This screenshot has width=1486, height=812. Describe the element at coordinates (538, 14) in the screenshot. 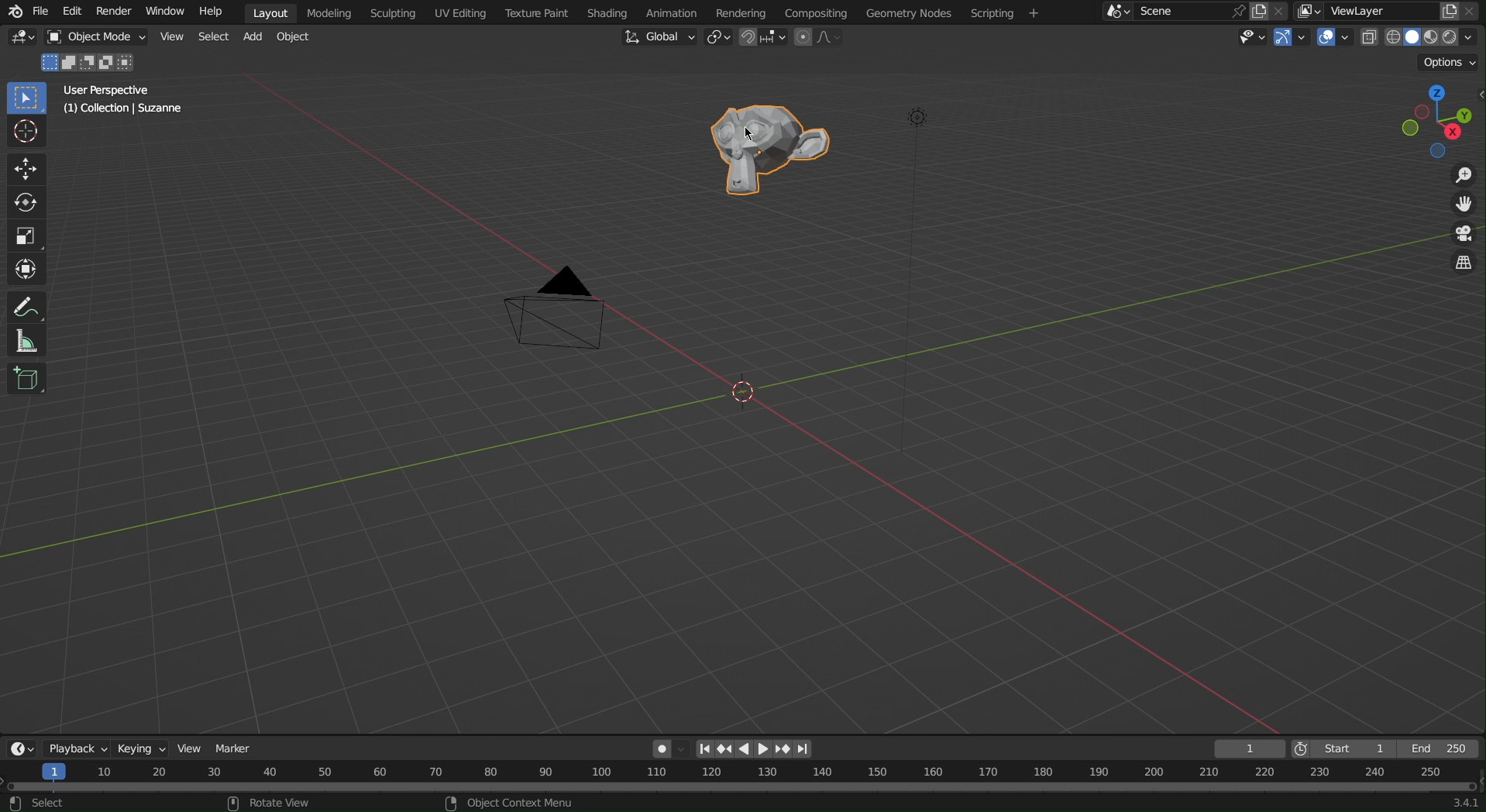

I see `Texture Paint` at that location.